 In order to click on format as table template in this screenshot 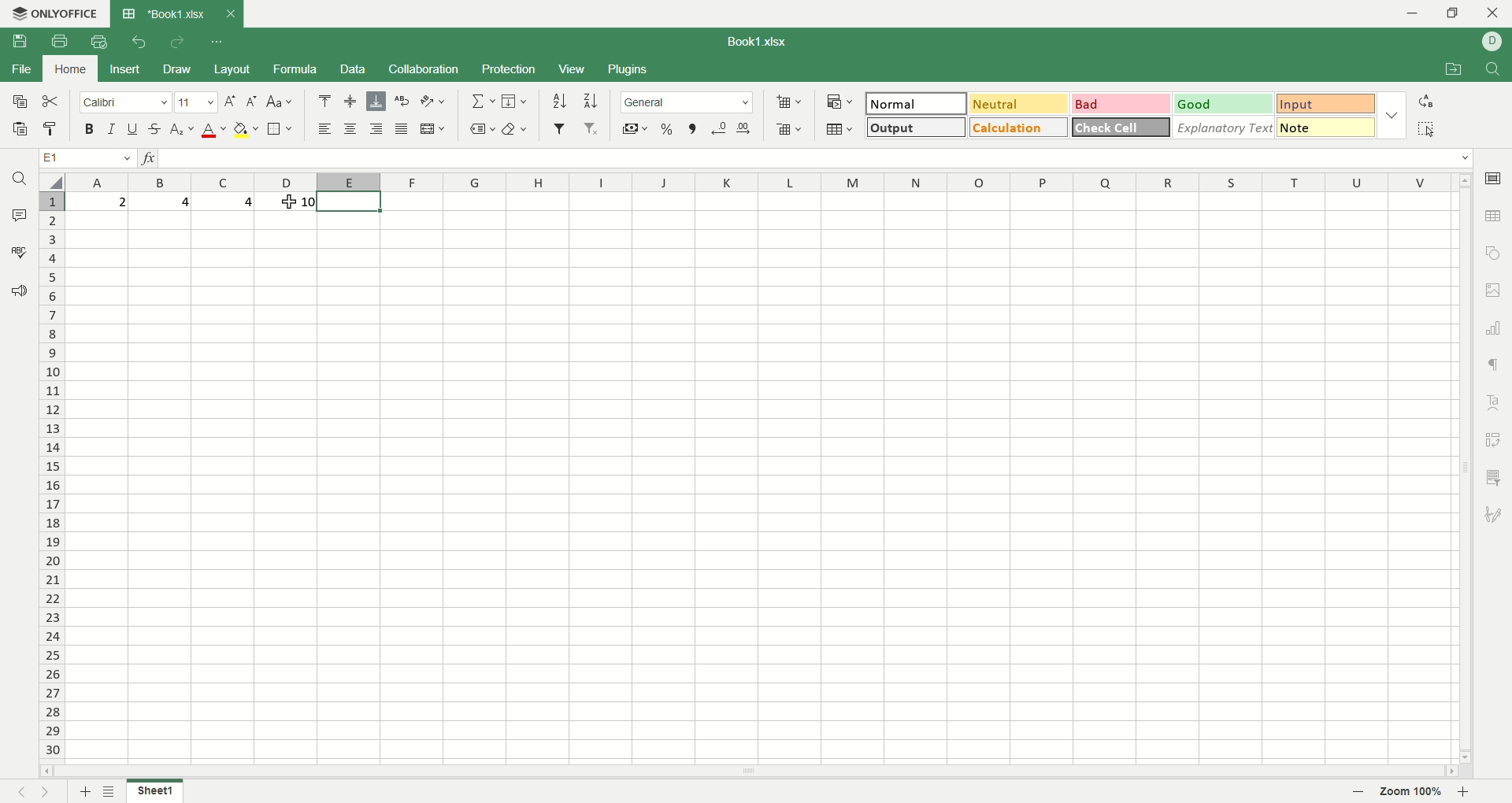, I will do `click(838, 131)`.